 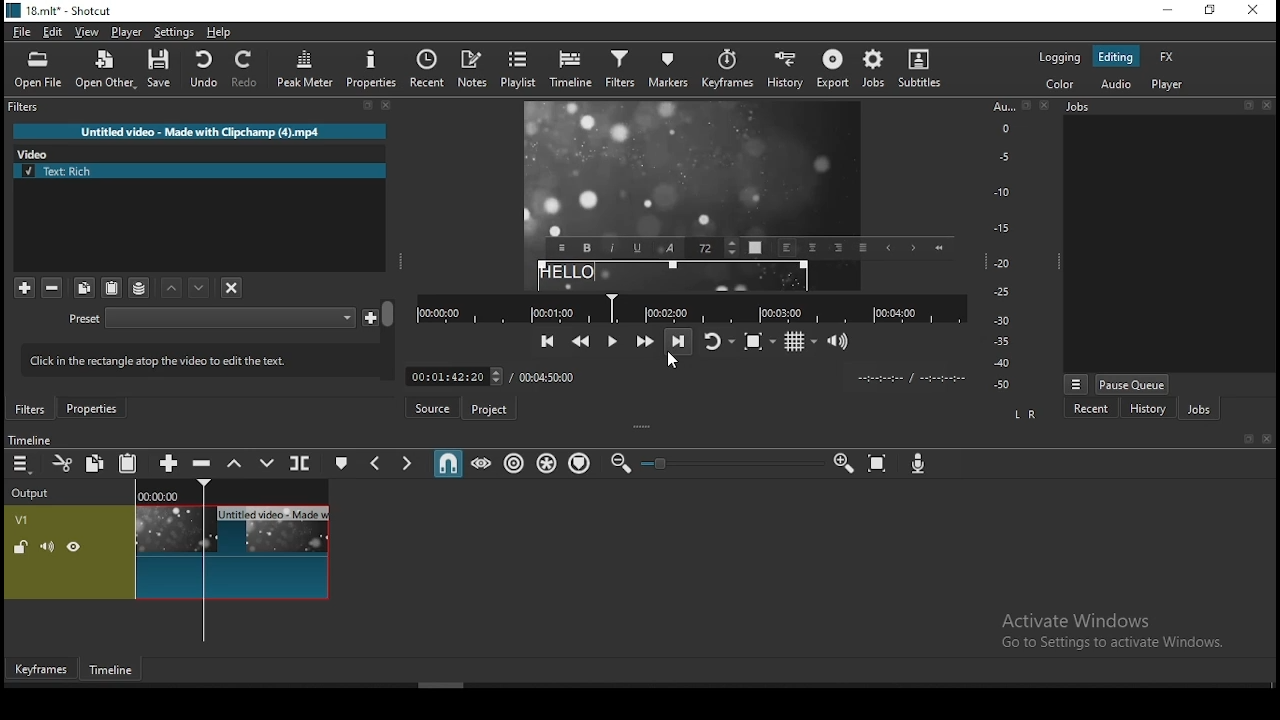 What do you see at coordinates (1266, 439) in the screenshot?
I see `Close` at bounding box center [1266, 439].